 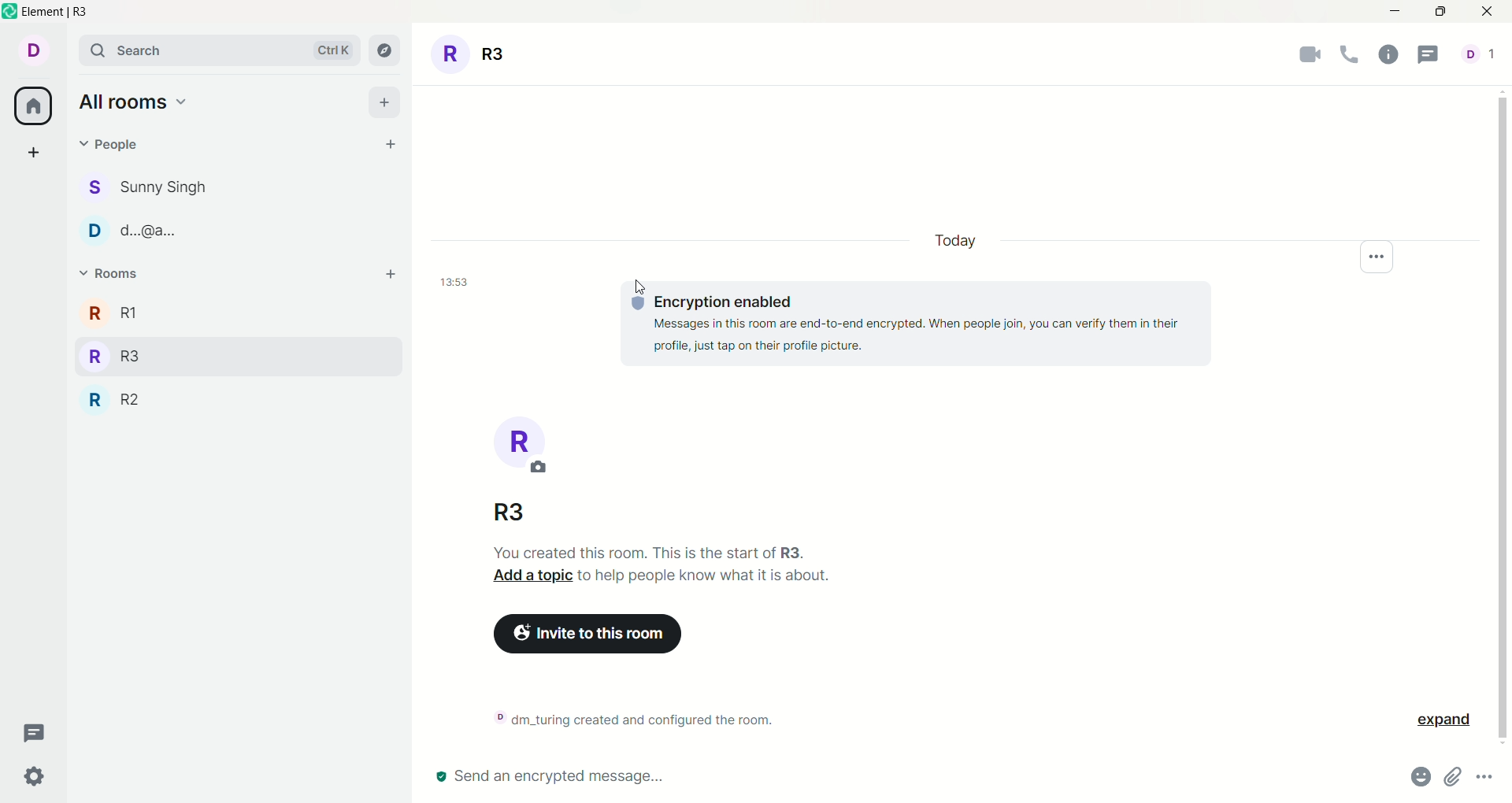 What do you see at coordinates (390, 144) in the screenshot?
I see `start chat` at bounding box center [390, 144].